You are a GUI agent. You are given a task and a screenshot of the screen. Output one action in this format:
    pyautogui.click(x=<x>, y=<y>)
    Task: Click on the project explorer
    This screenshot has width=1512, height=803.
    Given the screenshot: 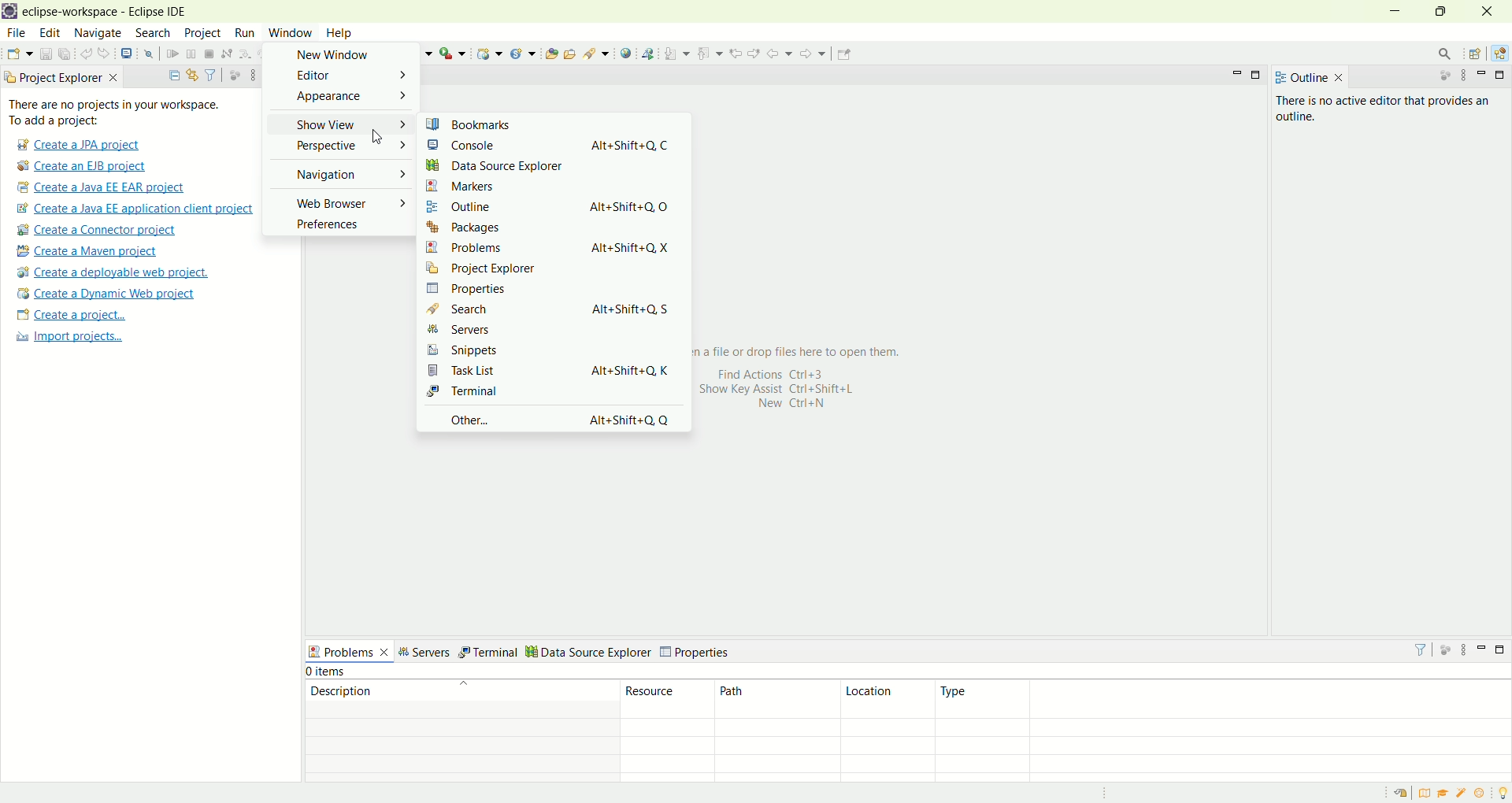 What is the action you would take?
    pyautogui.click(x=61, y=78)
    